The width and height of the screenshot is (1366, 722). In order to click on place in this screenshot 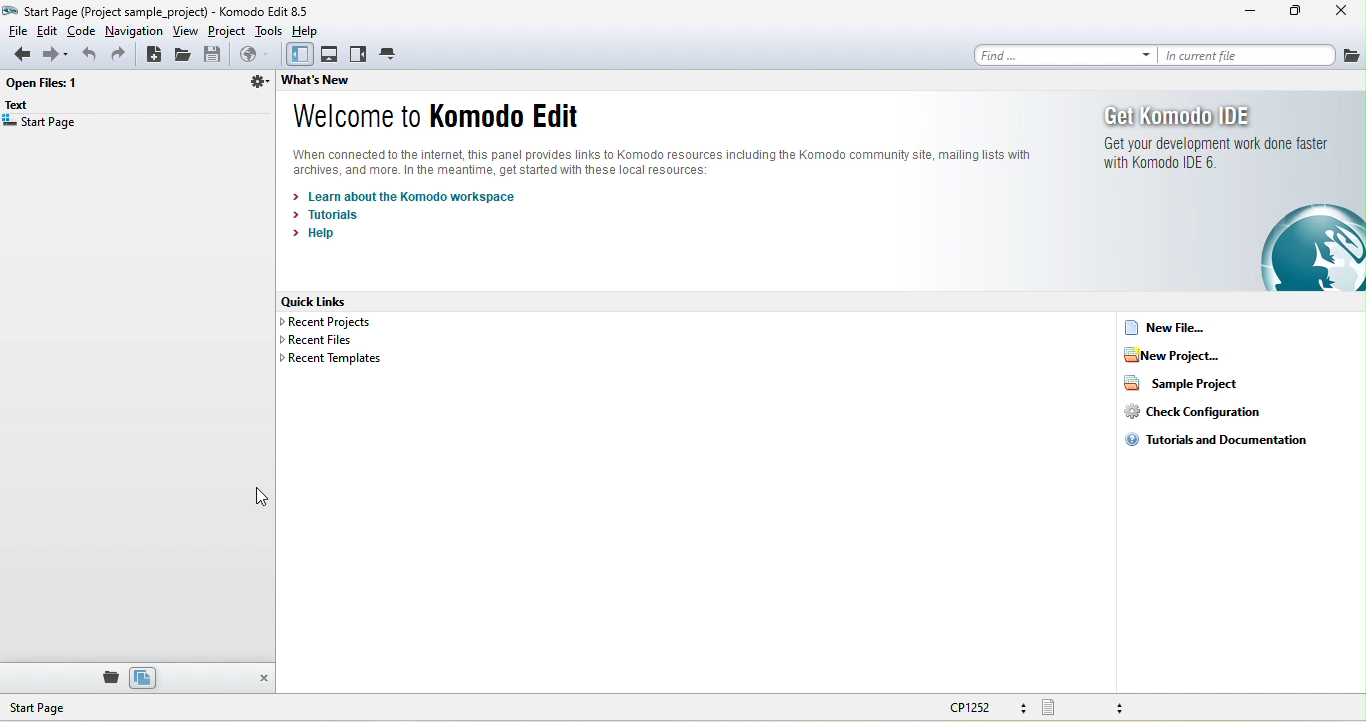, I will do `click(107, 677)`.